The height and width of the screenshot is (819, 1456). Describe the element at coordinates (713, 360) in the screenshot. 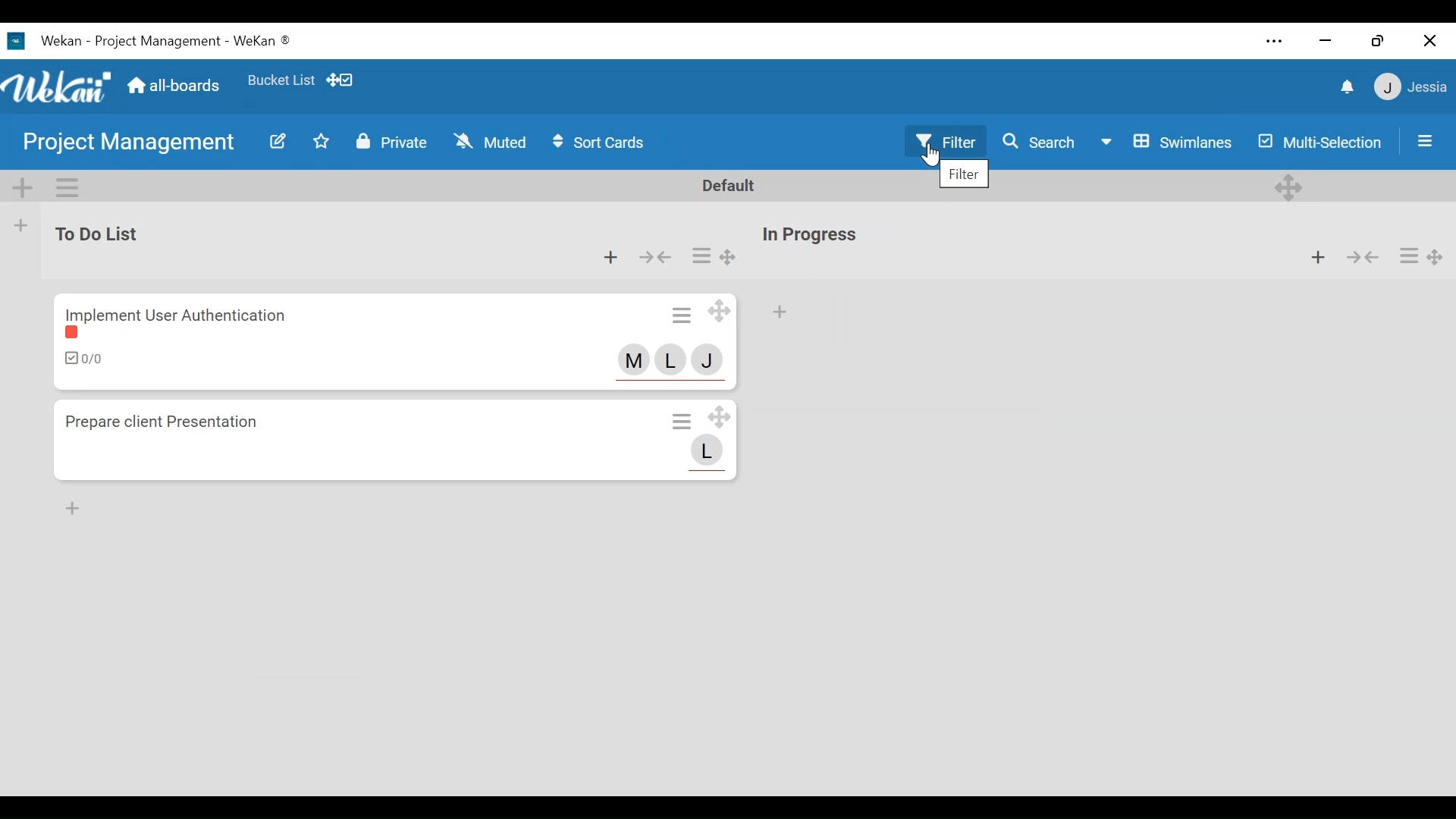

I see `member` at that location.